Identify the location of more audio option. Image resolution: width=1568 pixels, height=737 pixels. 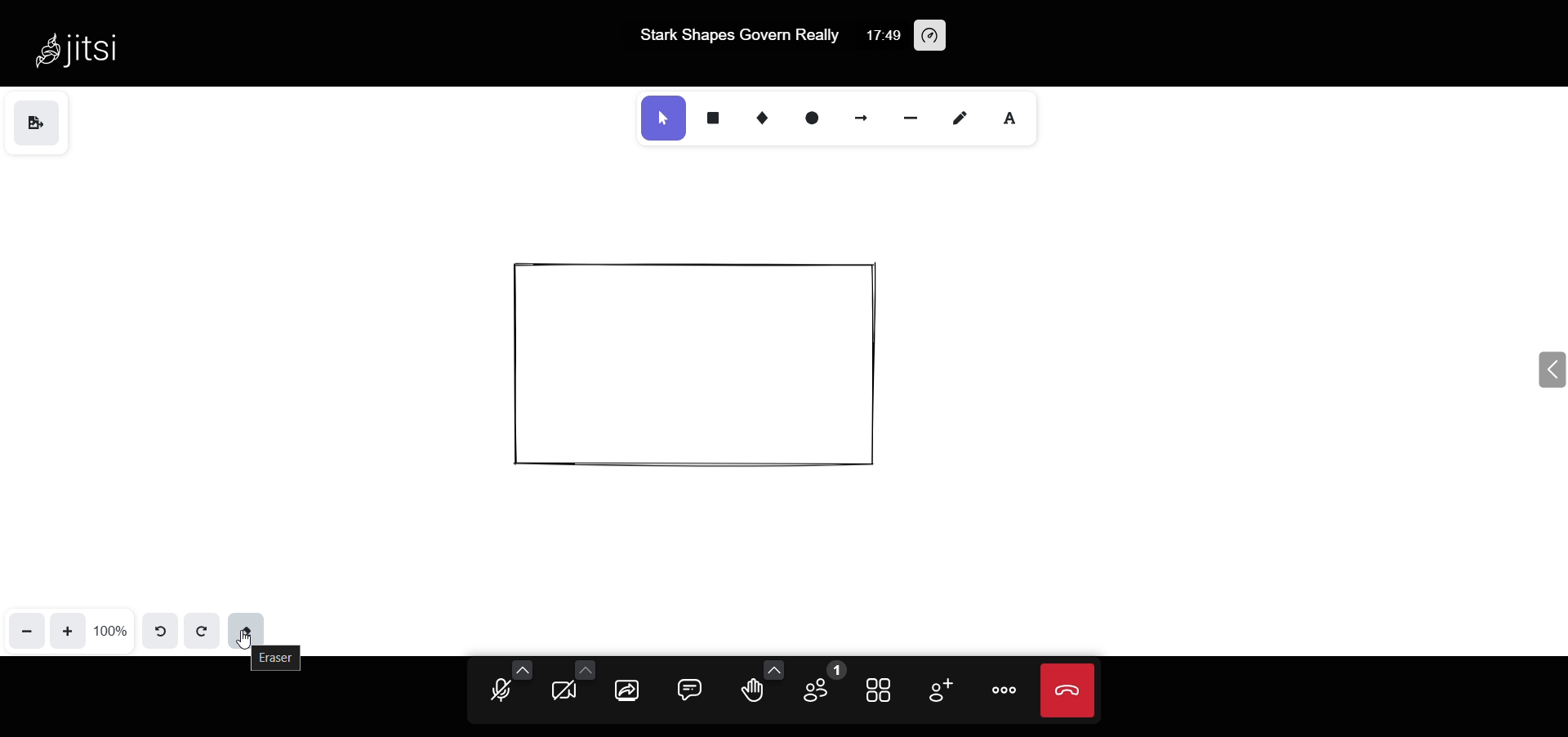
(523, 669).